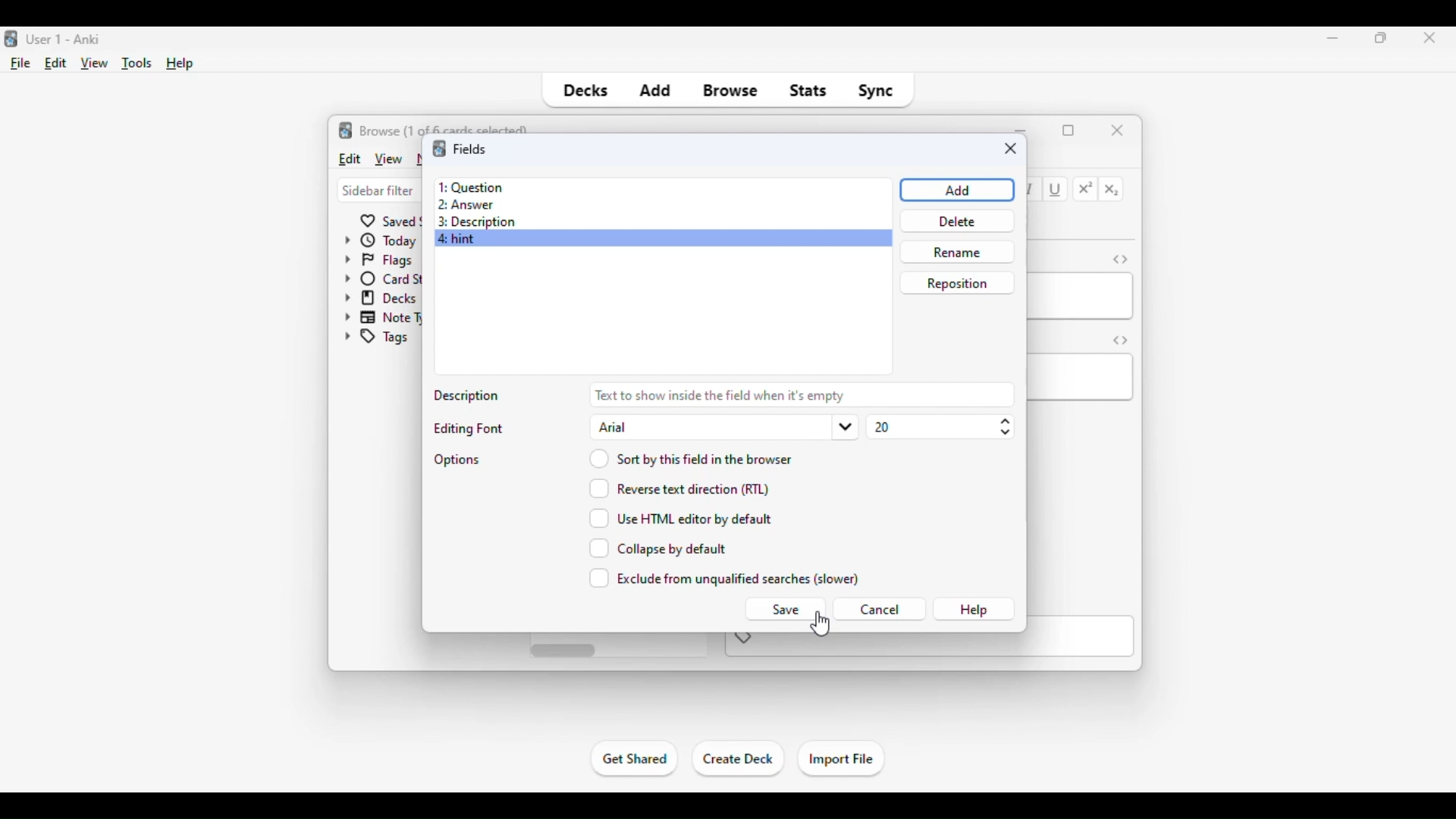 The width and height of the screenshot is (1456, 819). What do you see at coordinates (679, 488) in the screenshot?
I see `reverse text direction (RTL)` at bounding box center [679, 488].